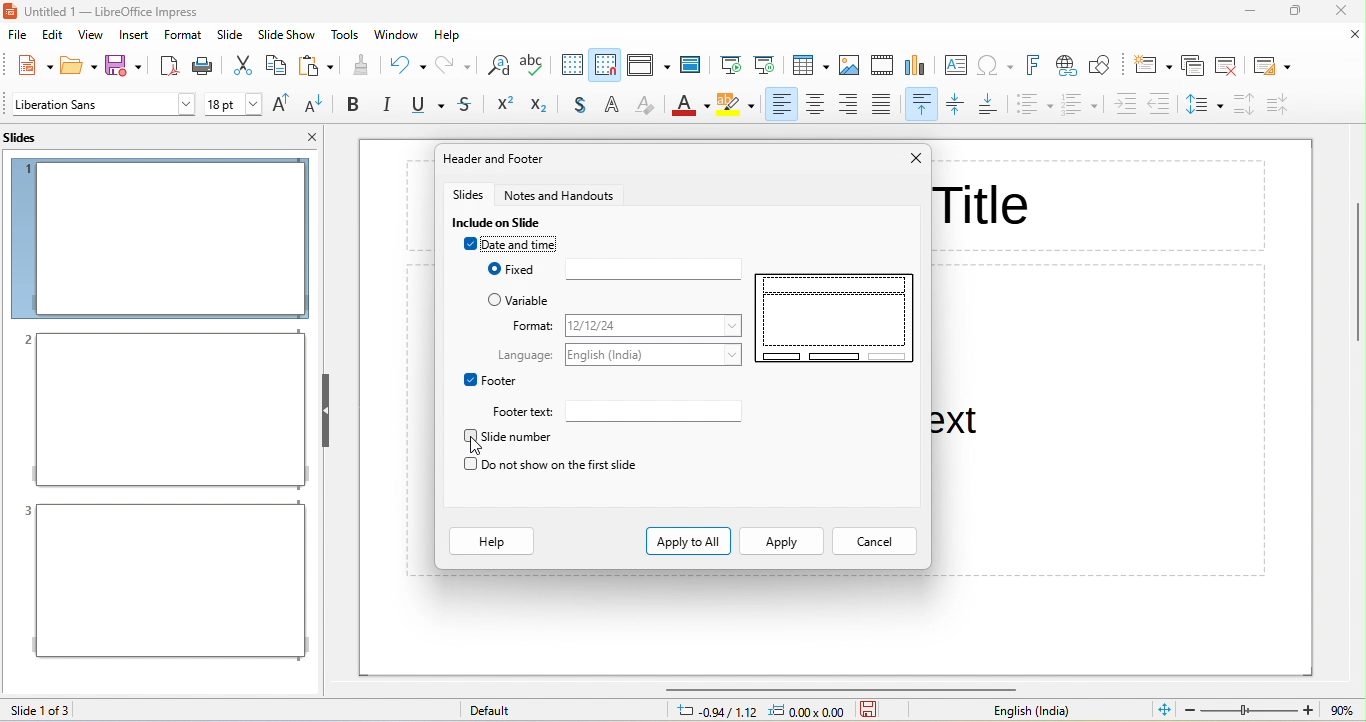 This screenshot has width=1366, height=722. What do you see at coordinates (870, 712) in the screenshot?
I see `click to save the document` at bounding box center [870, 712].